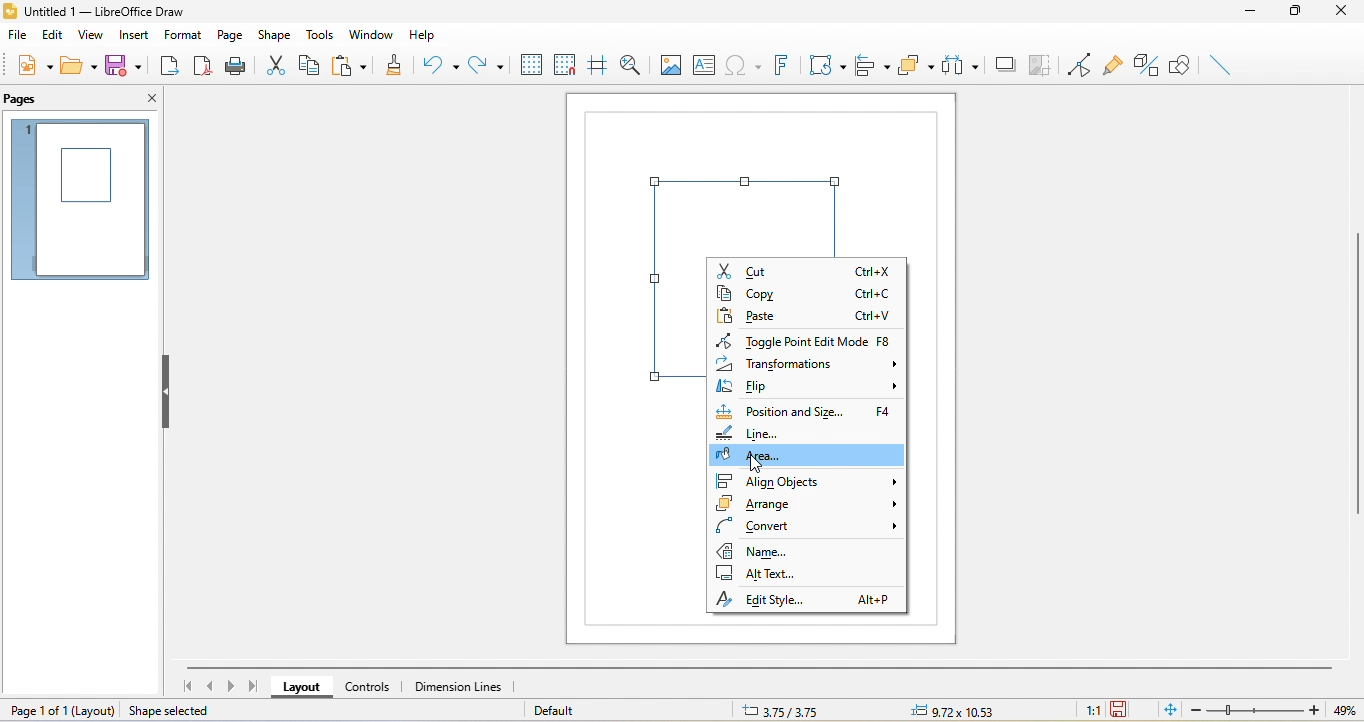  What do you see at coordinates (254, 687) in the screenshot?
I see `last page` at bounding box center [254, 687].